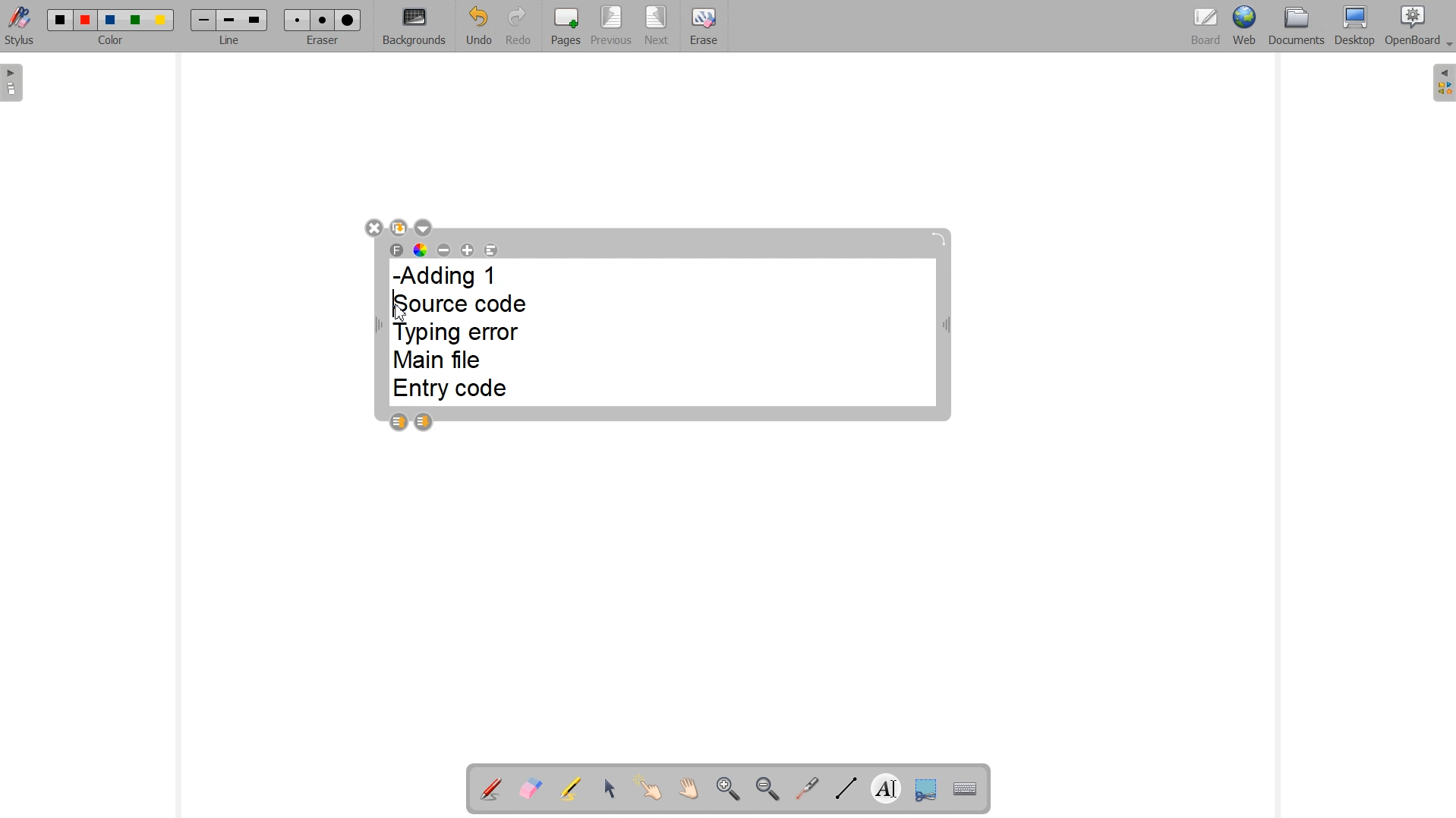 The image size is (1456, 818). Describe the element at coordinates (925, 788) in the screenshot. I see `Capture part of the screen` at that location.